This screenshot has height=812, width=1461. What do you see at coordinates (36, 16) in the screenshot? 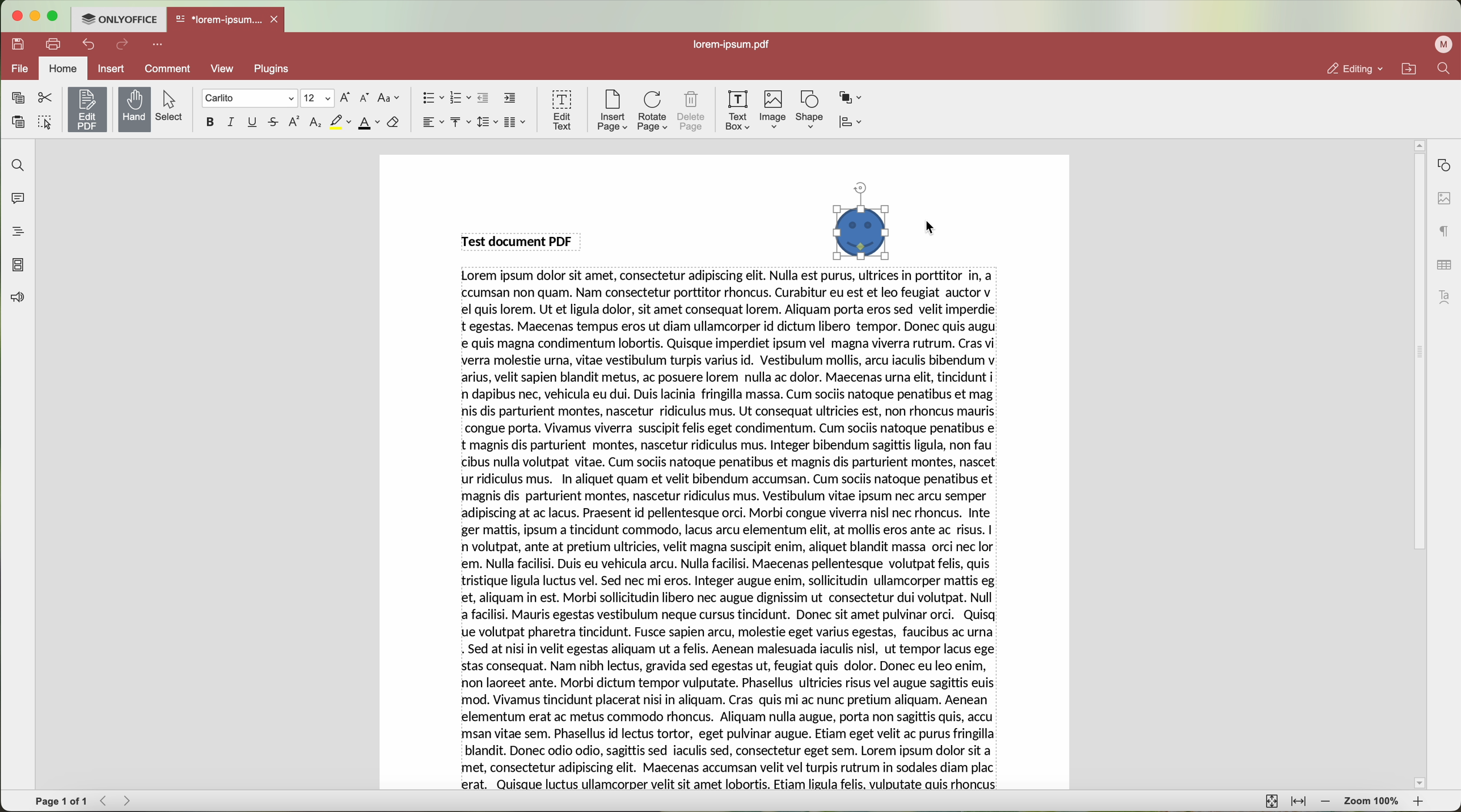
I see `minimize` at bounding box center [36, 16].